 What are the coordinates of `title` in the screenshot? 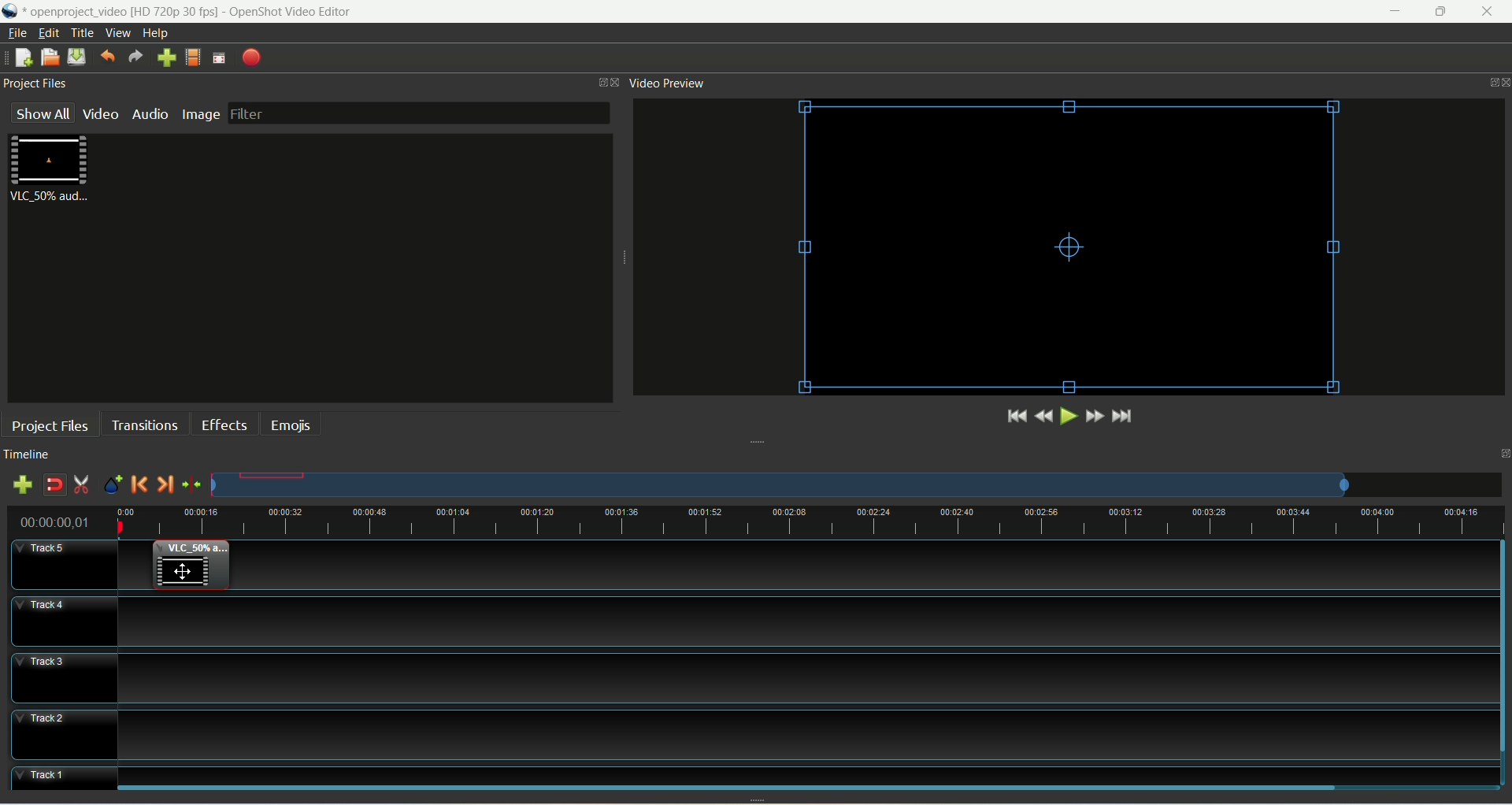 It's located at (83, 33).